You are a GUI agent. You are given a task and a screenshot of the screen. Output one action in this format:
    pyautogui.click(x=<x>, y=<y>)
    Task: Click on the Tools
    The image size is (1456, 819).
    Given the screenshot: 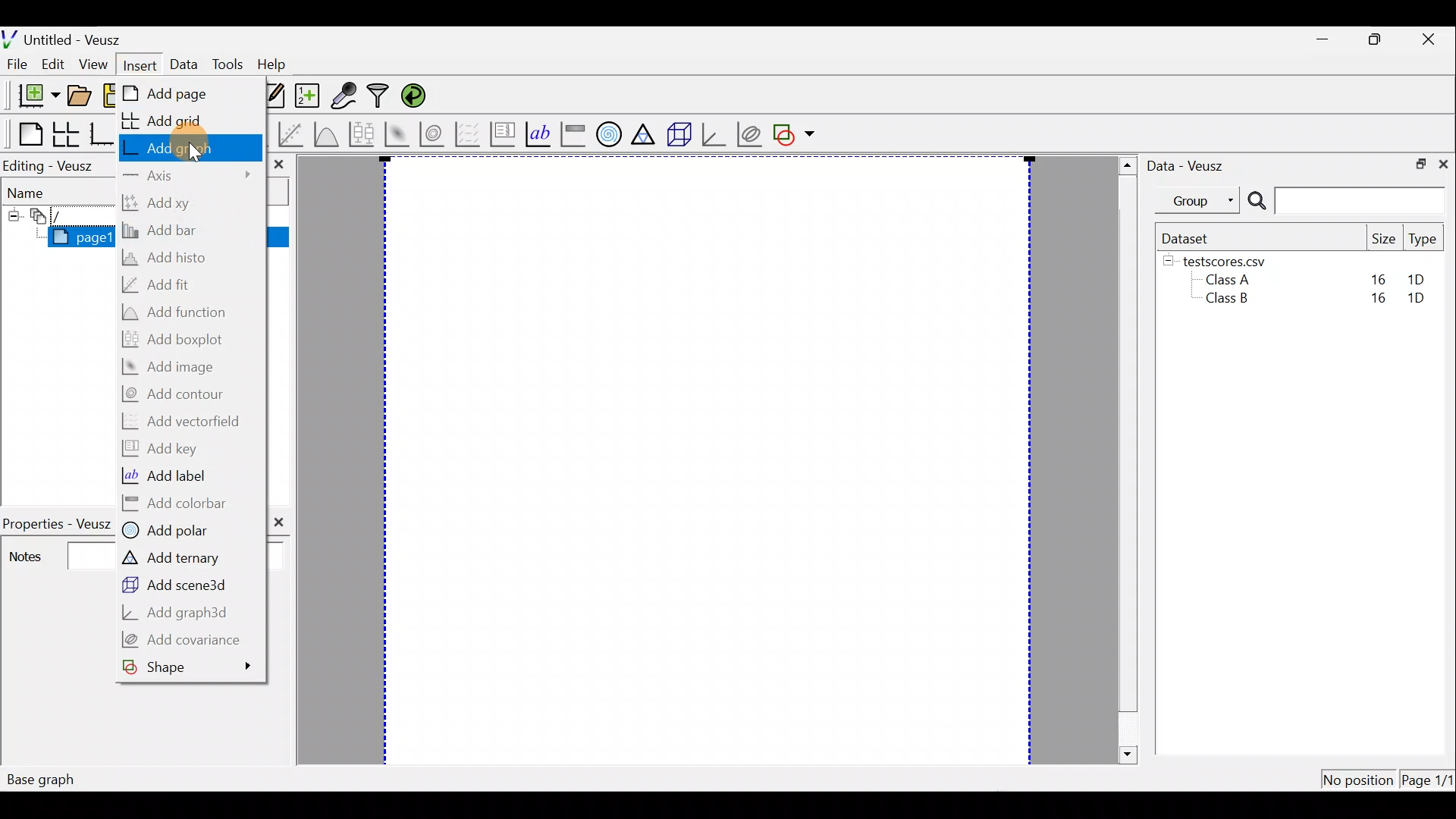 What is the action you would take?
    pyautogui.click(x=226, y=65)
    